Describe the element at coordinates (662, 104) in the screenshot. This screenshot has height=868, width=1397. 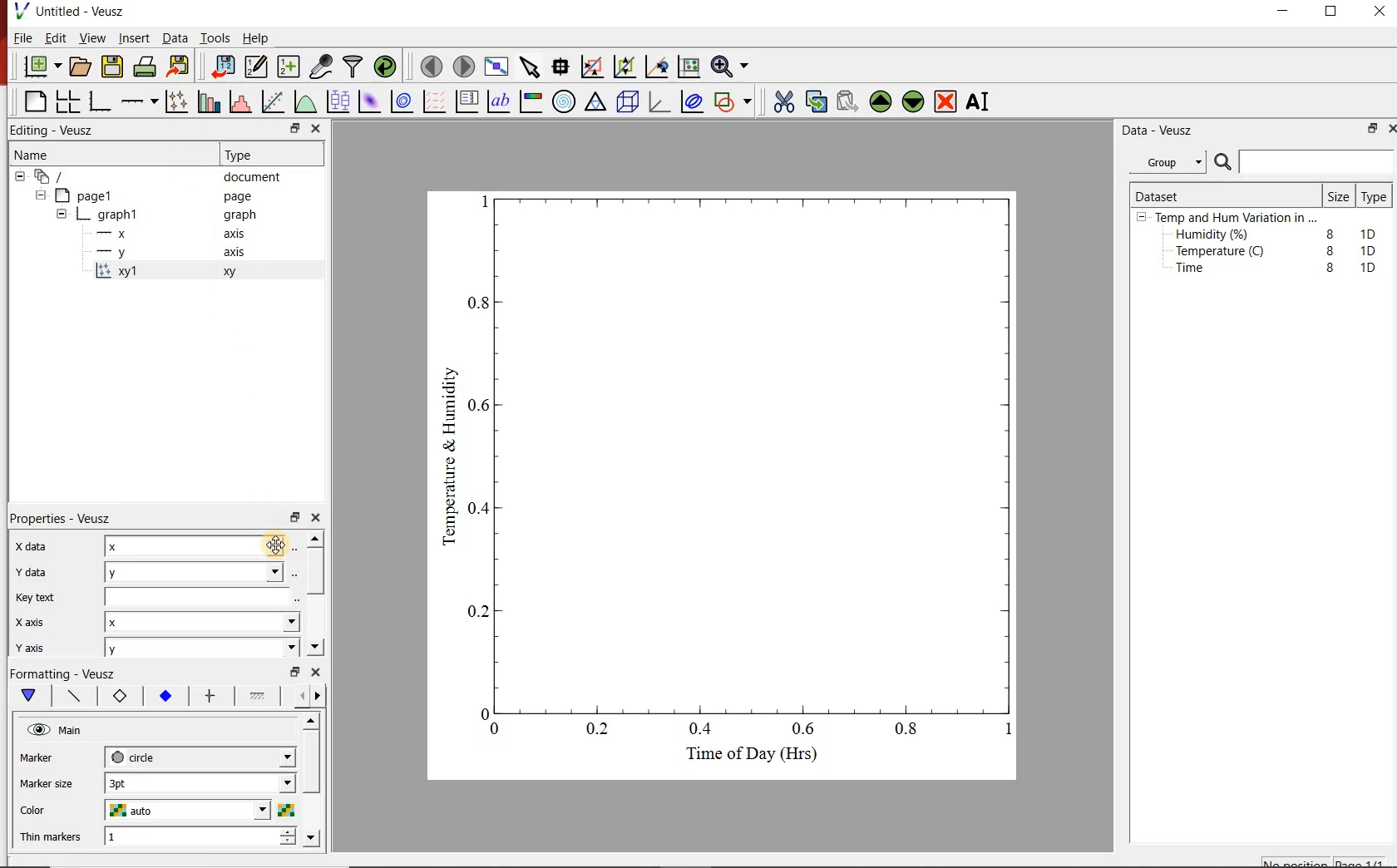
I see `3d graph` at that location.